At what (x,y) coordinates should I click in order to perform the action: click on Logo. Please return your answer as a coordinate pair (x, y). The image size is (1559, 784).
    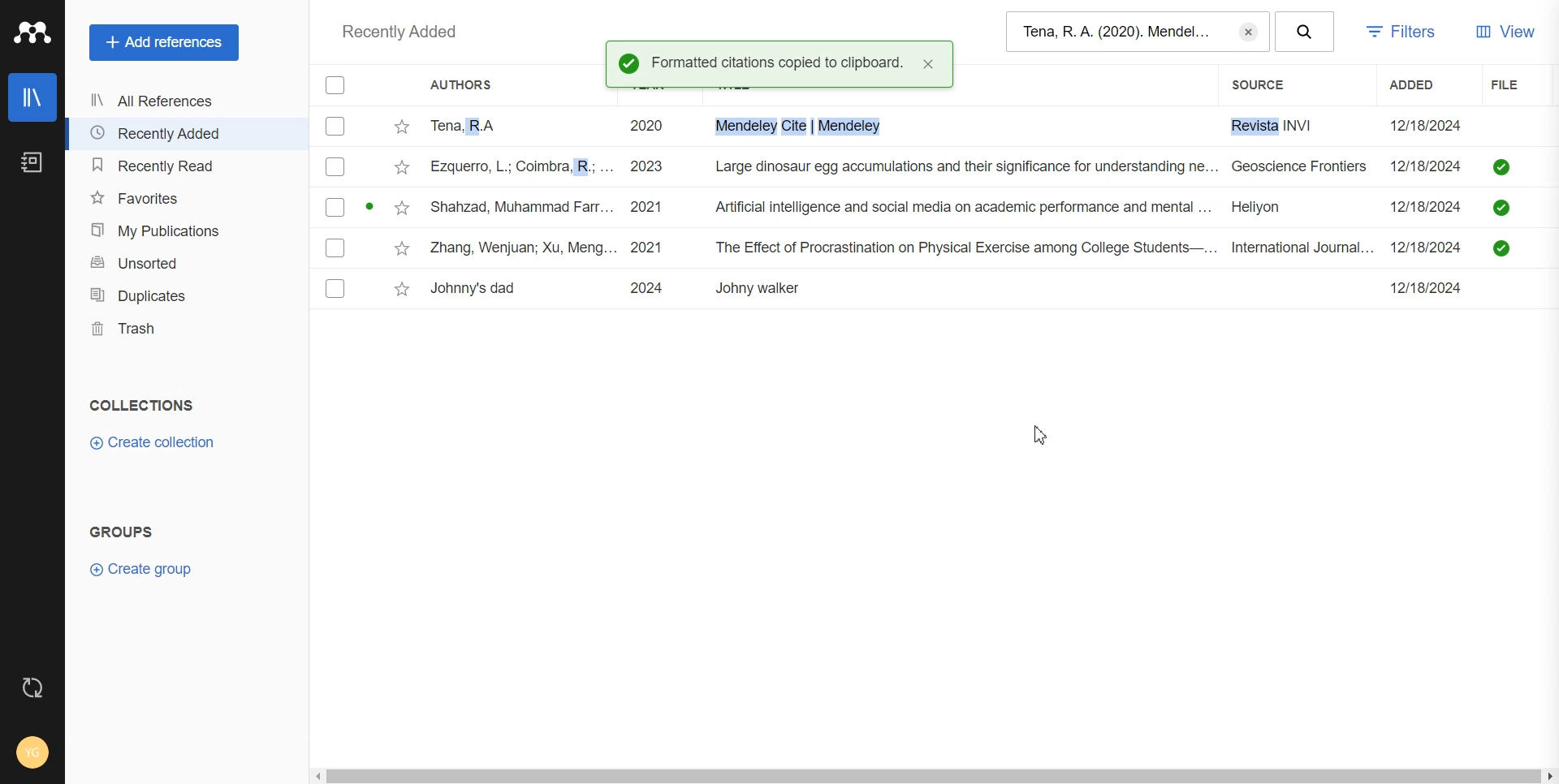
    Looking at the image, I should click on (32, 33).